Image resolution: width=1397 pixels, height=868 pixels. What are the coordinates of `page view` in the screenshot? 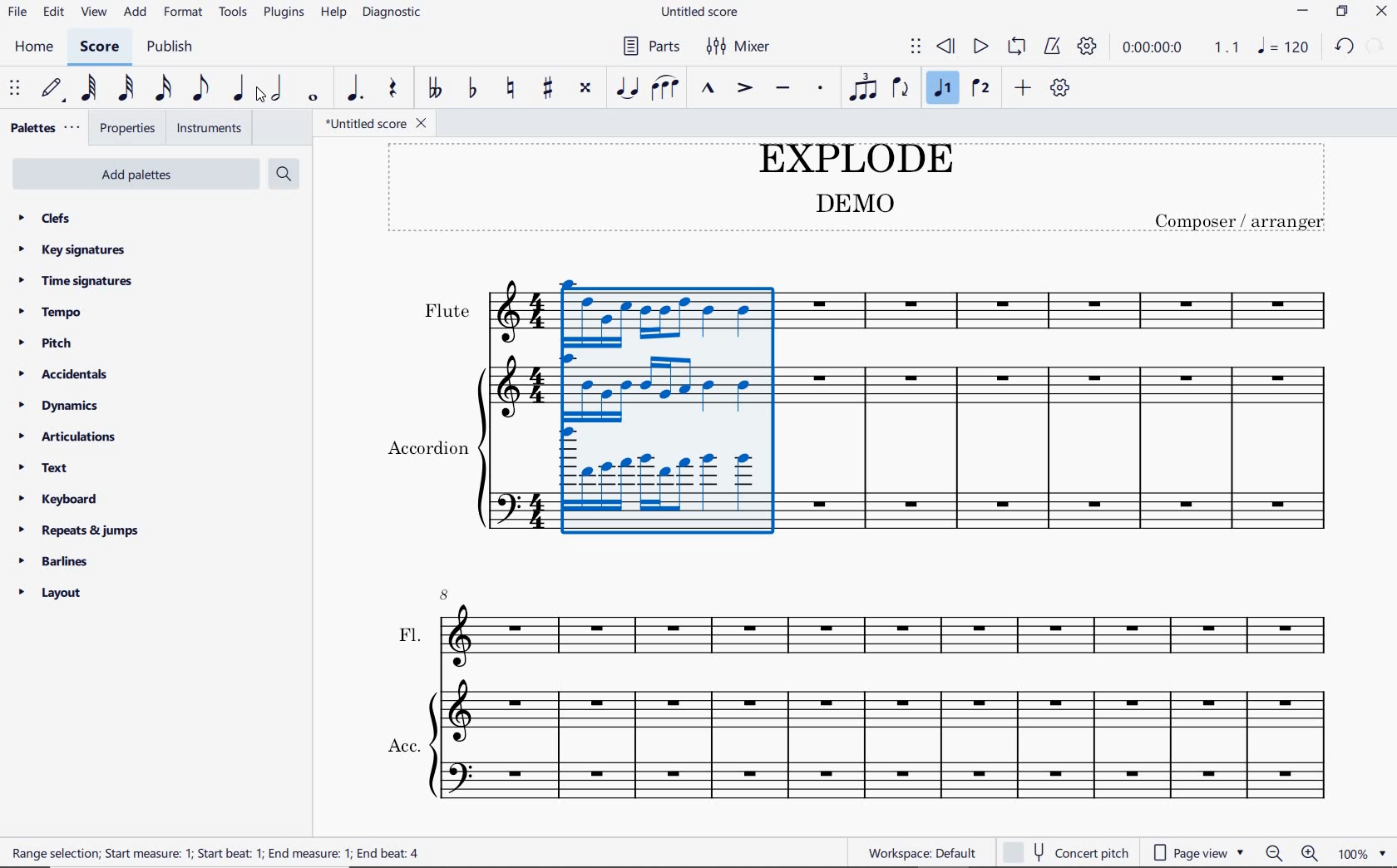 It's located at (1201, 850).